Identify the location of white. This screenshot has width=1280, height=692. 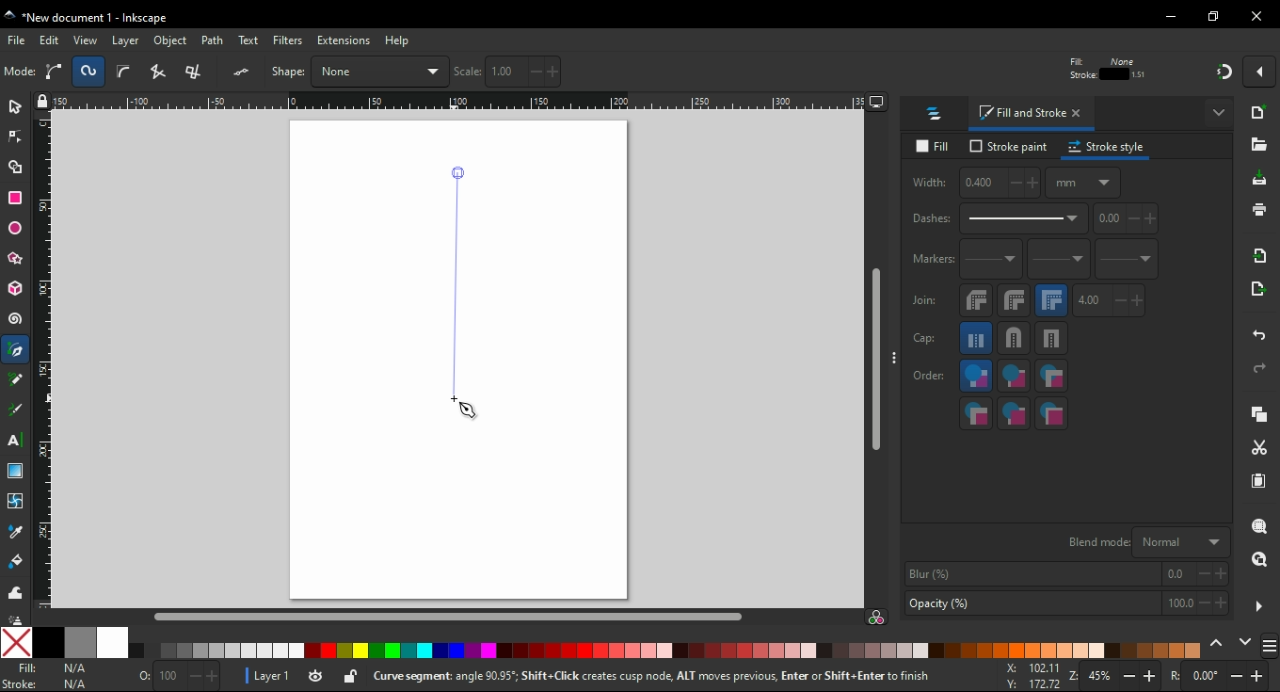
(113, 642).